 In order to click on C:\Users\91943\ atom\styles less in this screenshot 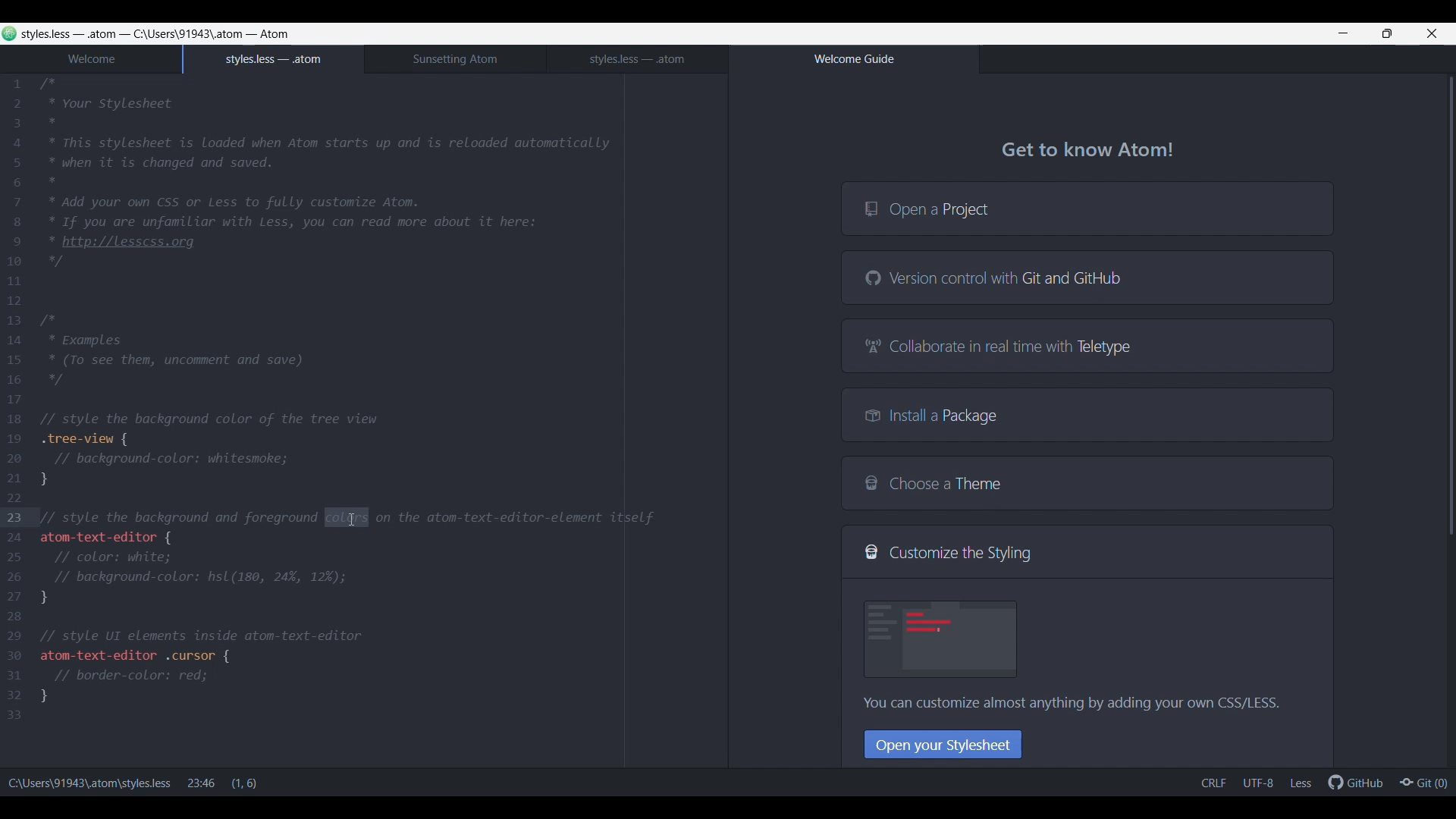, I will do `click(89, 780)`.